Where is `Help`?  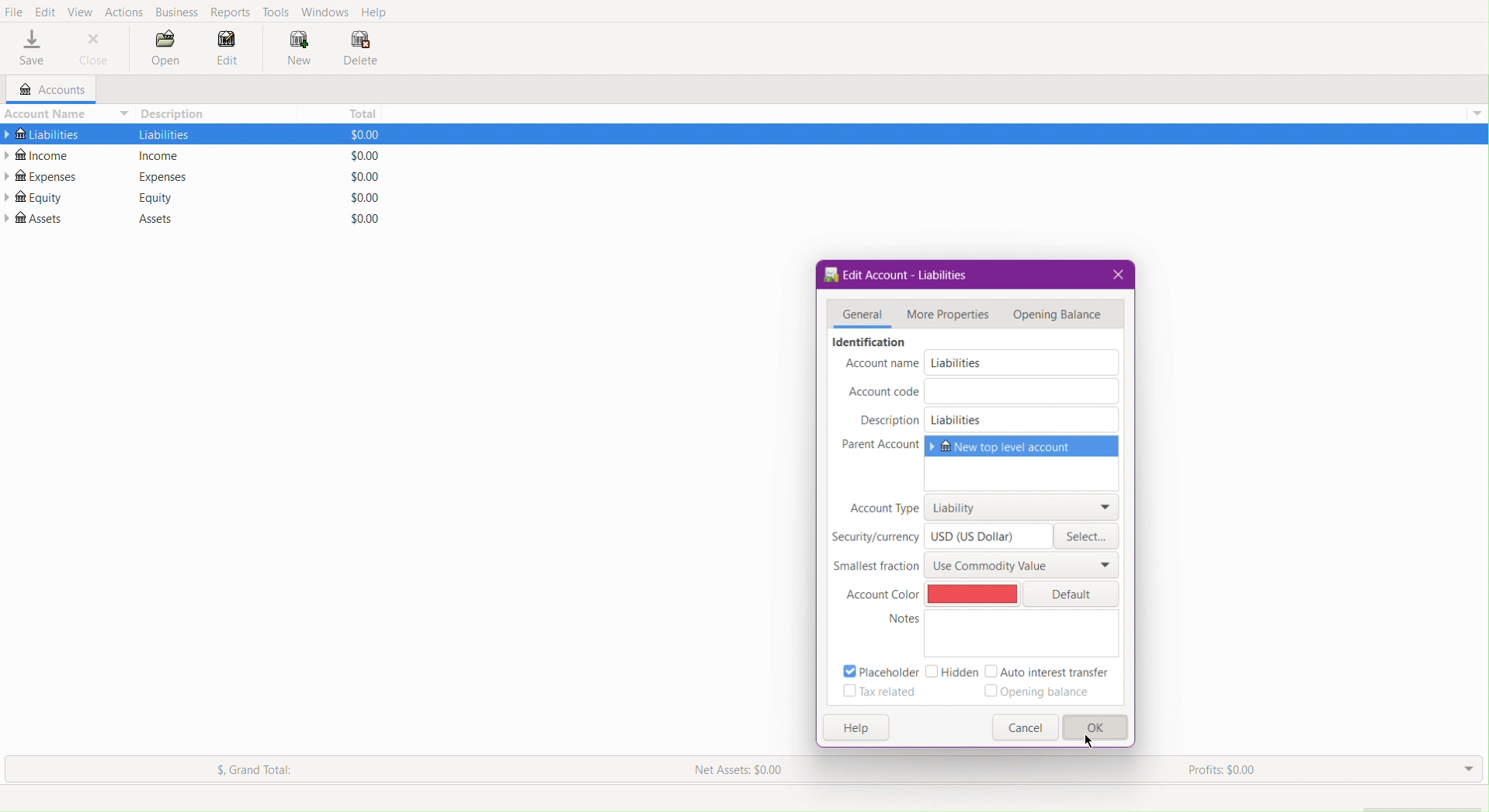
Help is located at coordinates (853, 730).